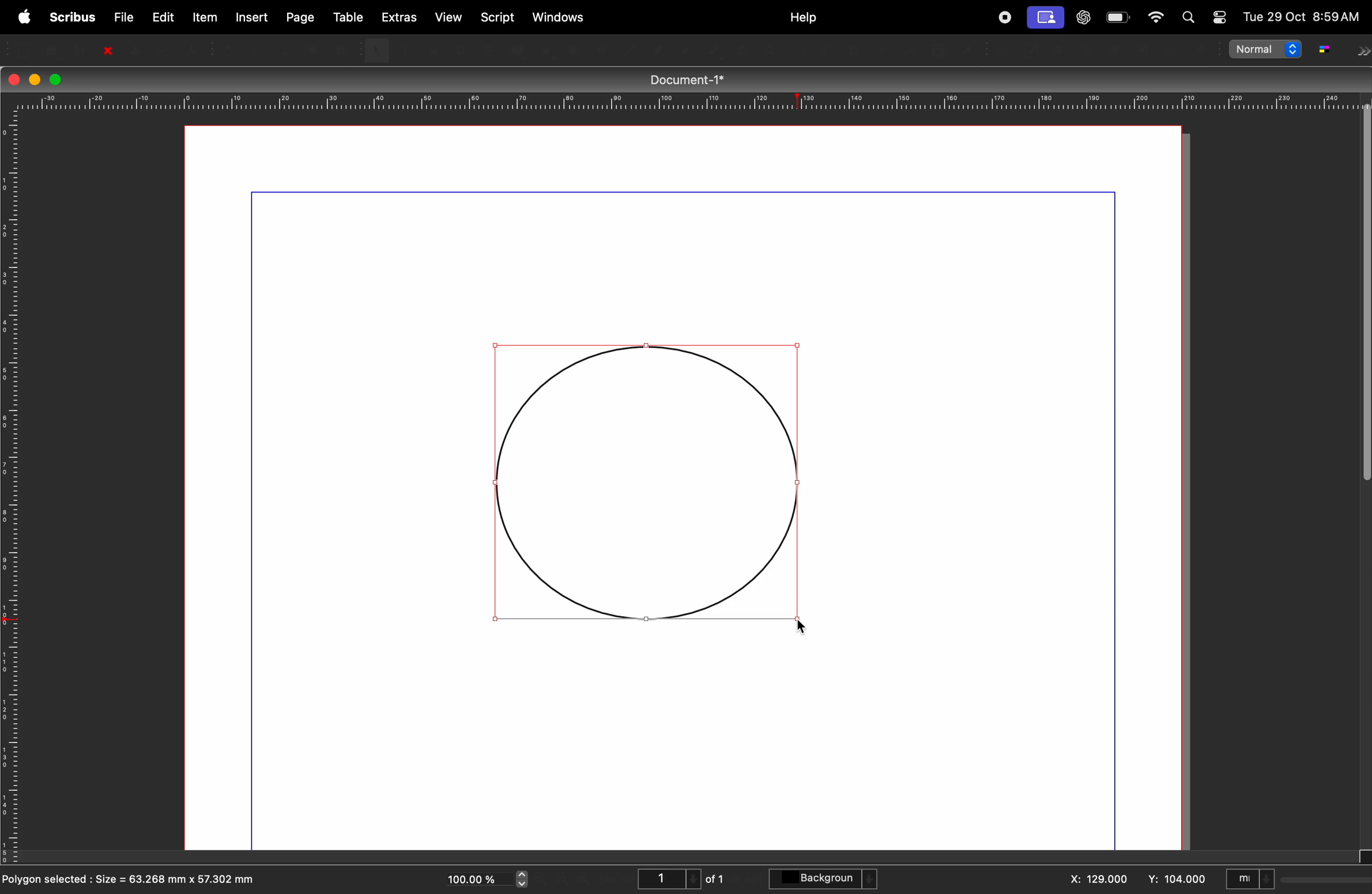  What do you see at coordinates (1047, 18) in the screenshot?
I see `cast` at bounding box center [1047, 18].